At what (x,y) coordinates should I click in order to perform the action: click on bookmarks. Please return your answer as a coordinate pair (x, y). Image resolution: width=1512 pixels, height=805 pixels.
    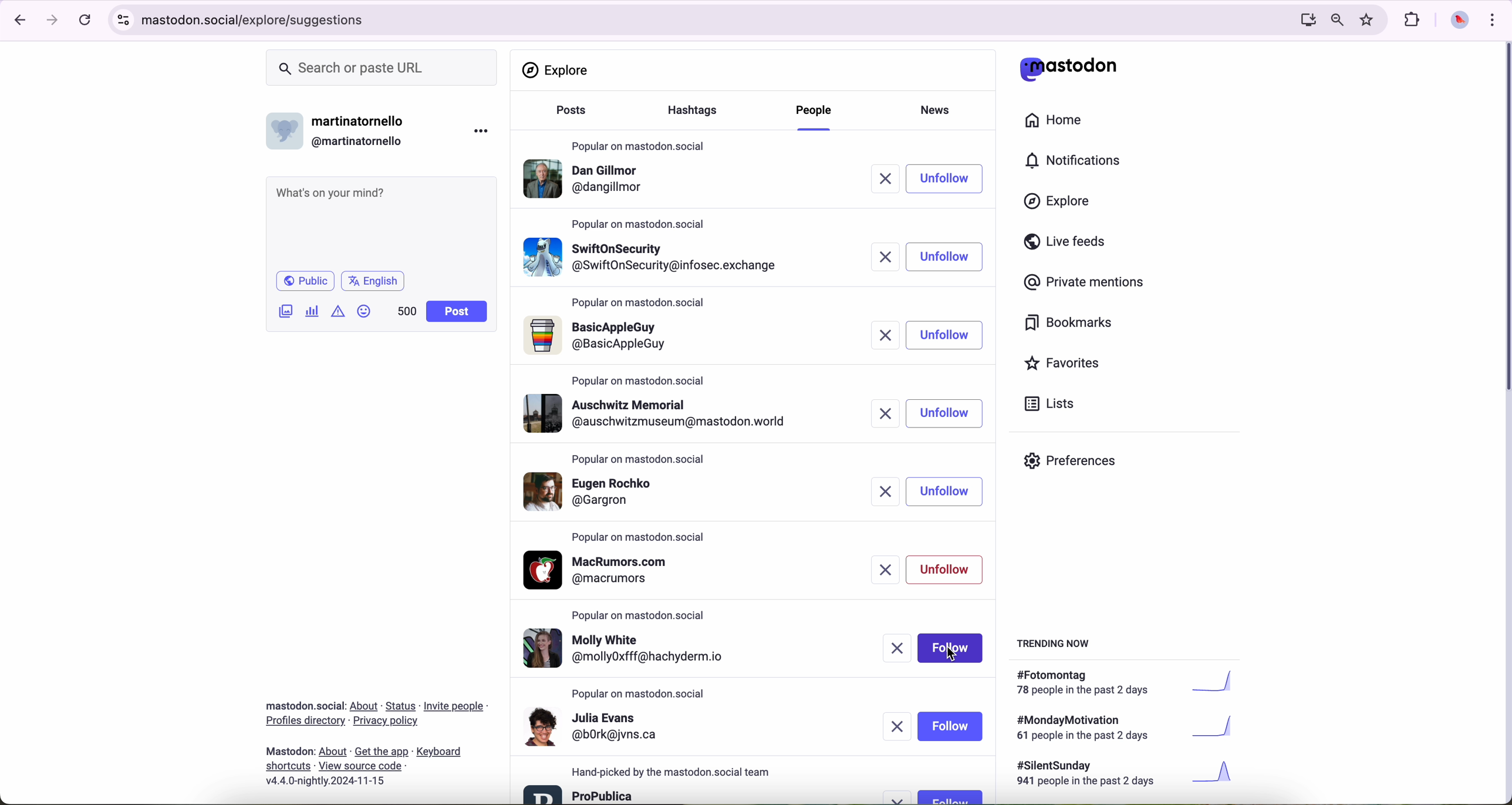
    Looking at the image, I should click on (1069, 325).